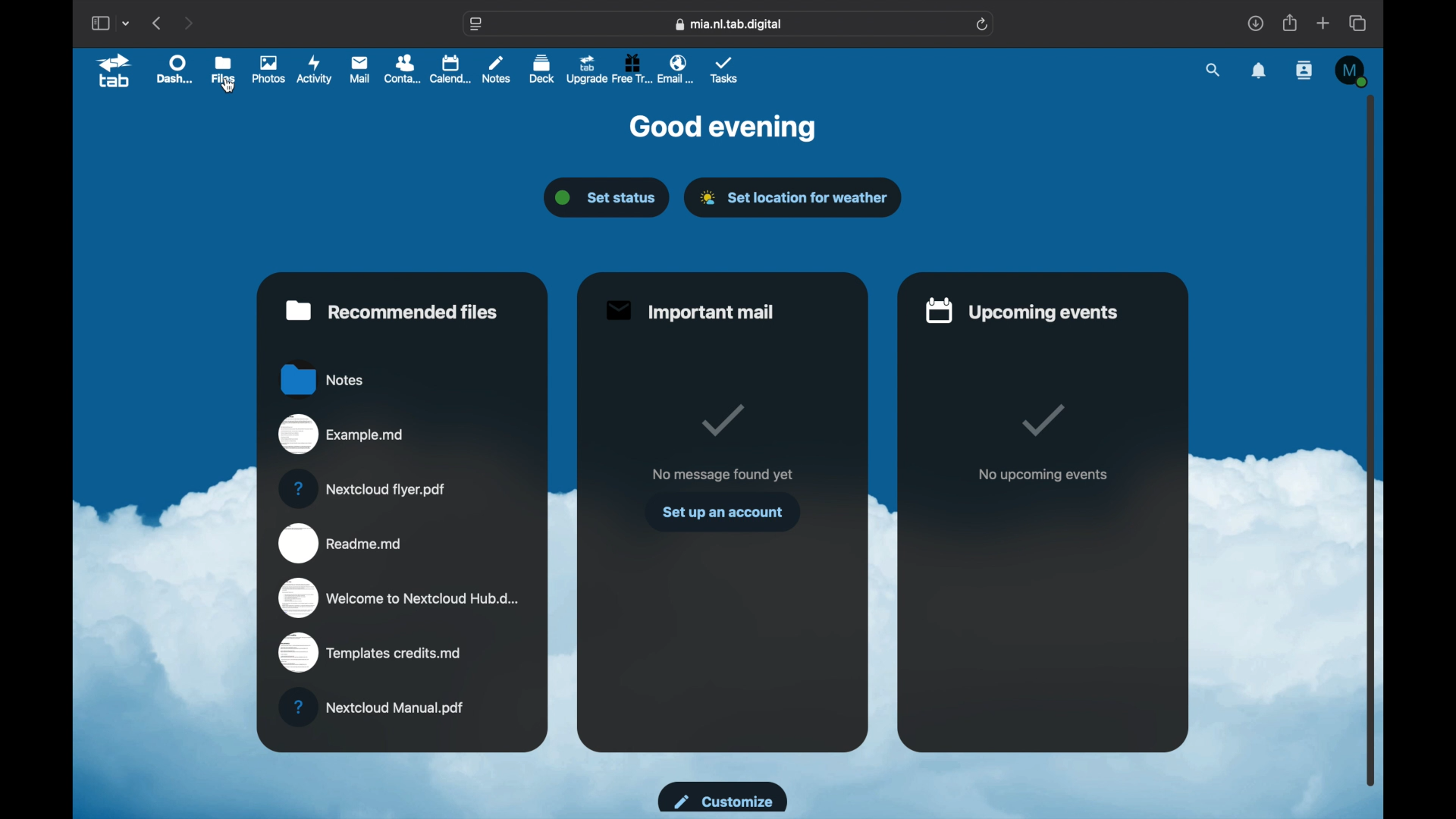 This screenshot has height=819, width=1456. Describe the element at coordinates (723, 796) in the screenshot. I see `customize` at that location.